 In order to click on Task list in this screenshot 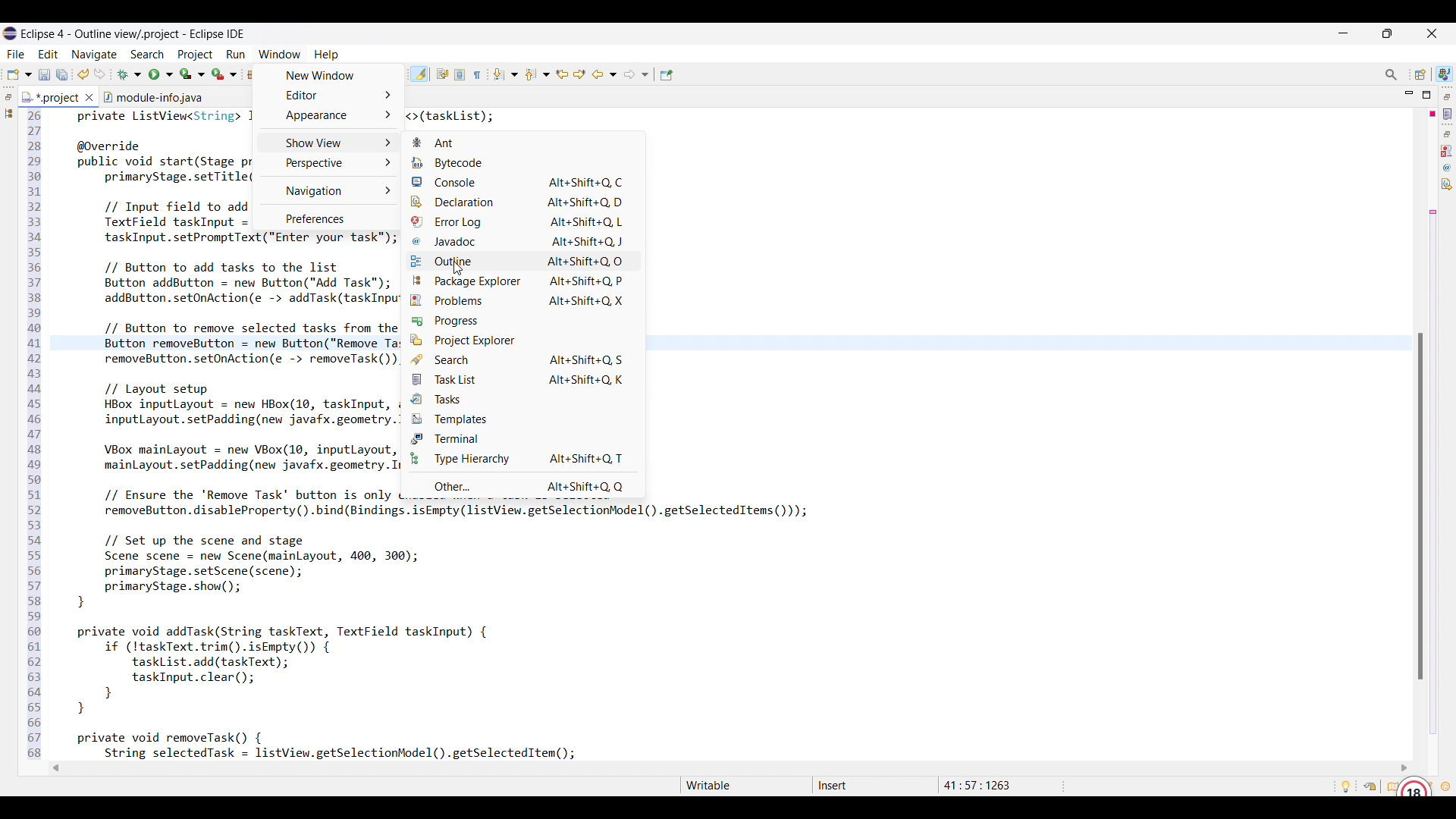, I will do `click(1448, 114)`.